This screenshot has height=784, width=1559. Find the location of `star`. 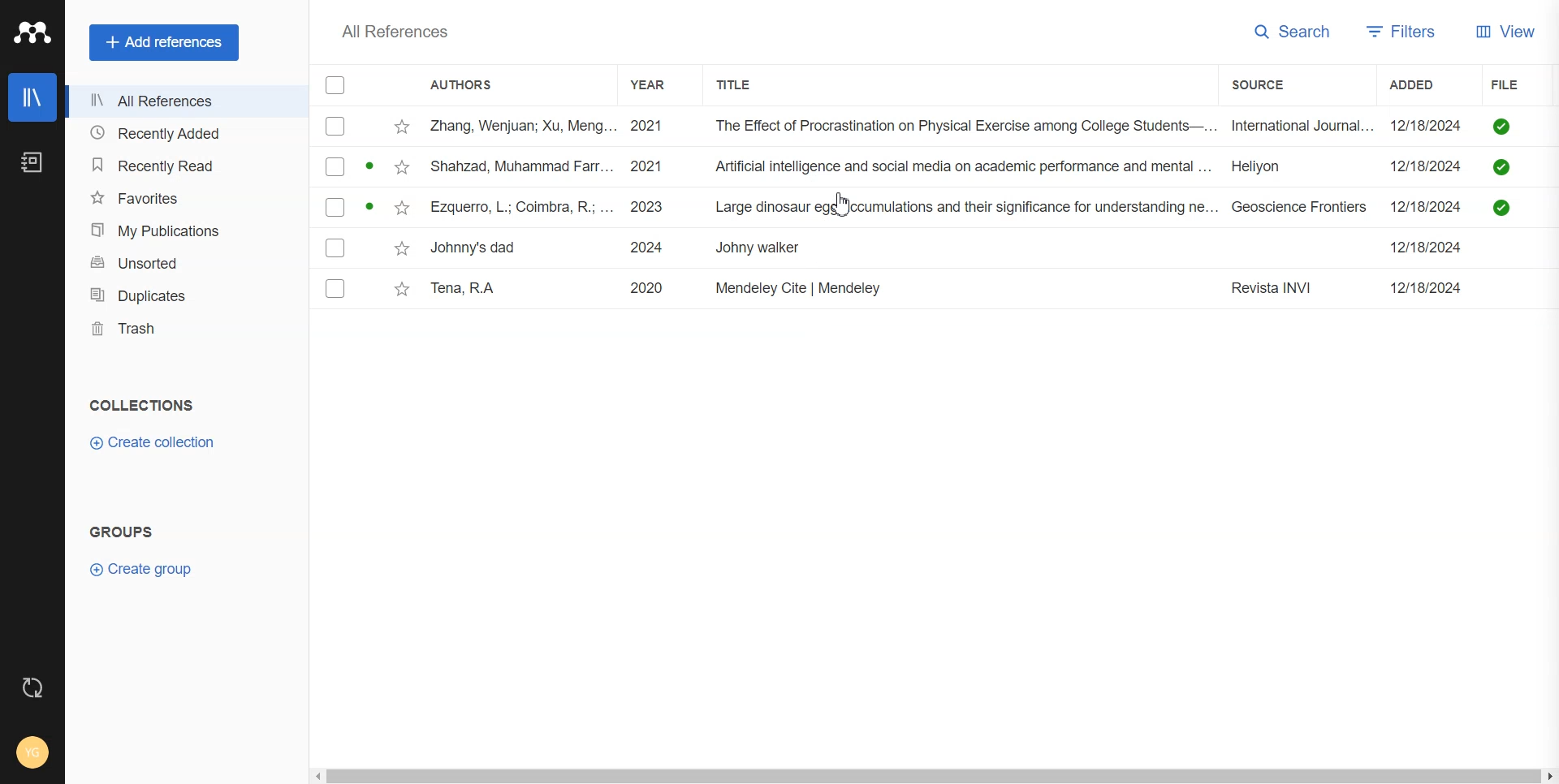

star is located at coordinates (403, 167).